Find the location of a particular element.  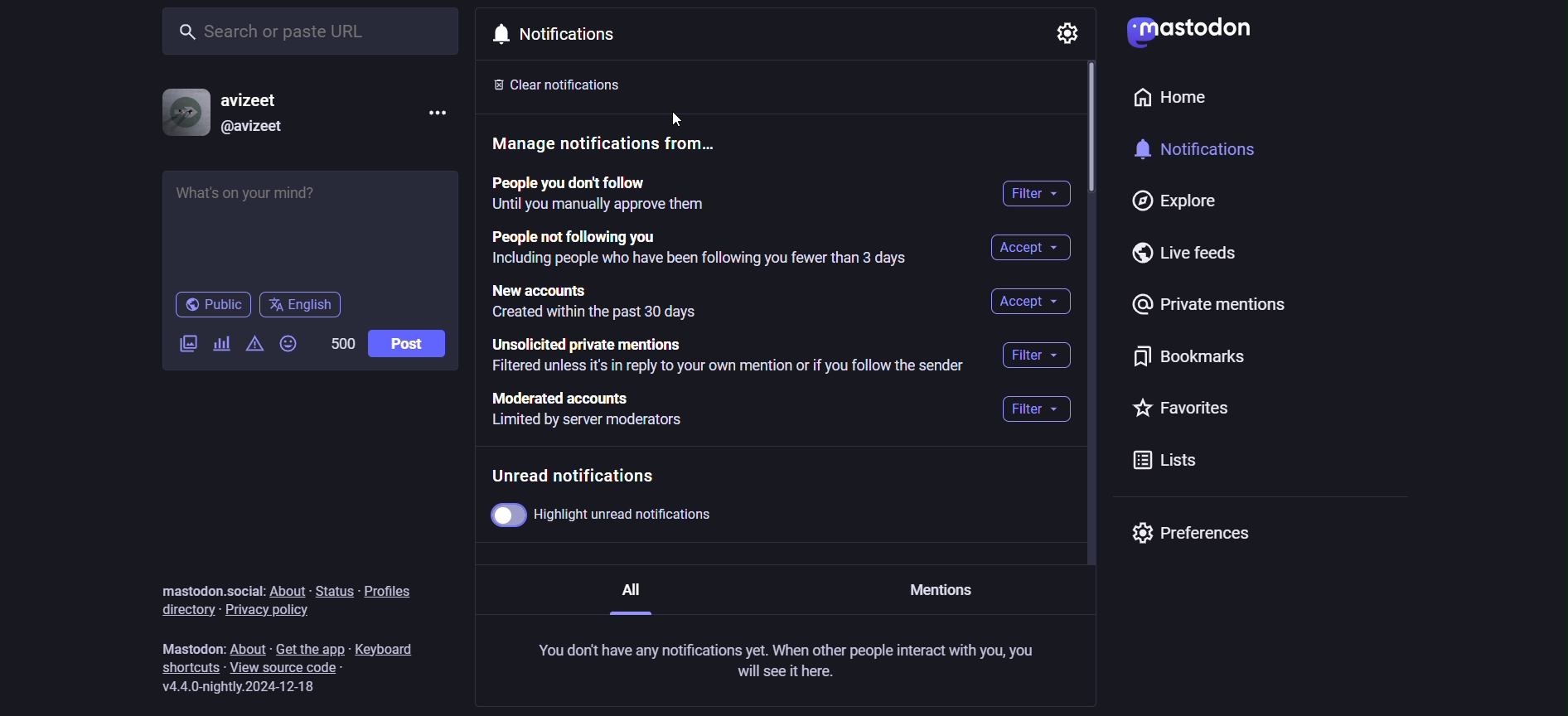

profile picture is located at coordinates (182, 112).